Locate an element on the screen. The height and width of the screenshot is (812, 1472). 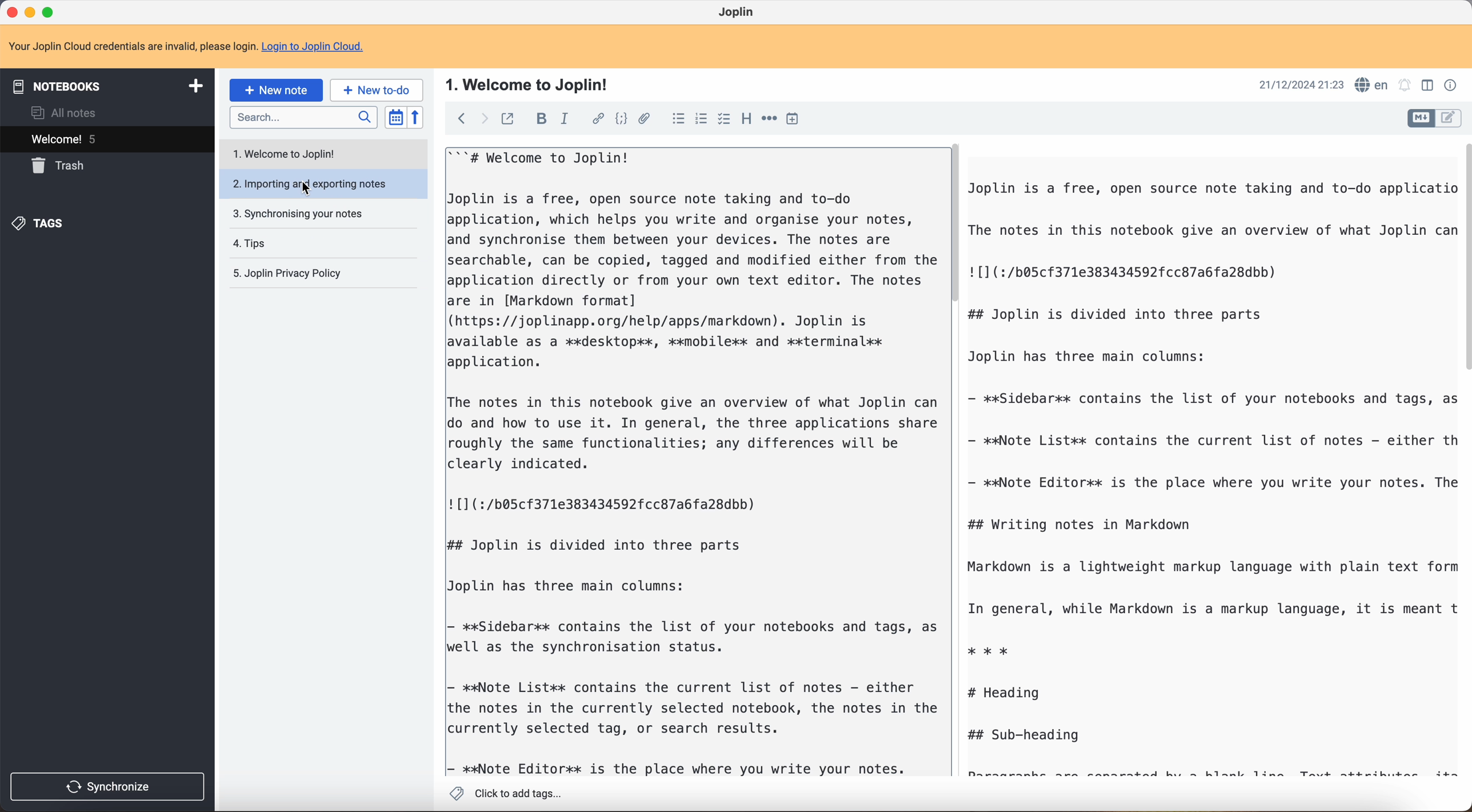
new note is located at coordinates (276, 89).